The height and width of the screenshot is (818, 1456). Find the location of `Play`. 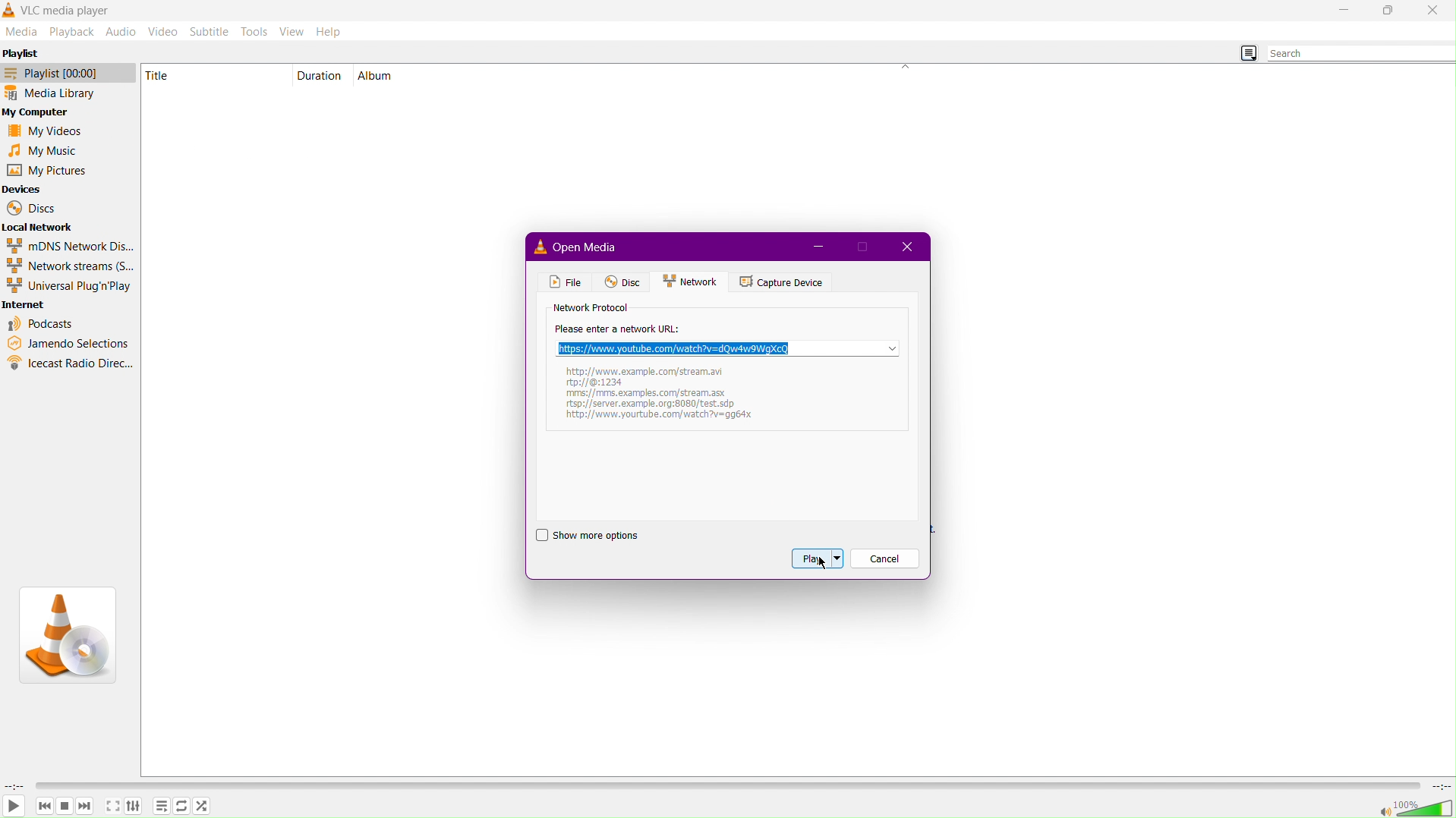

Play is located at coordinates (817, 559).